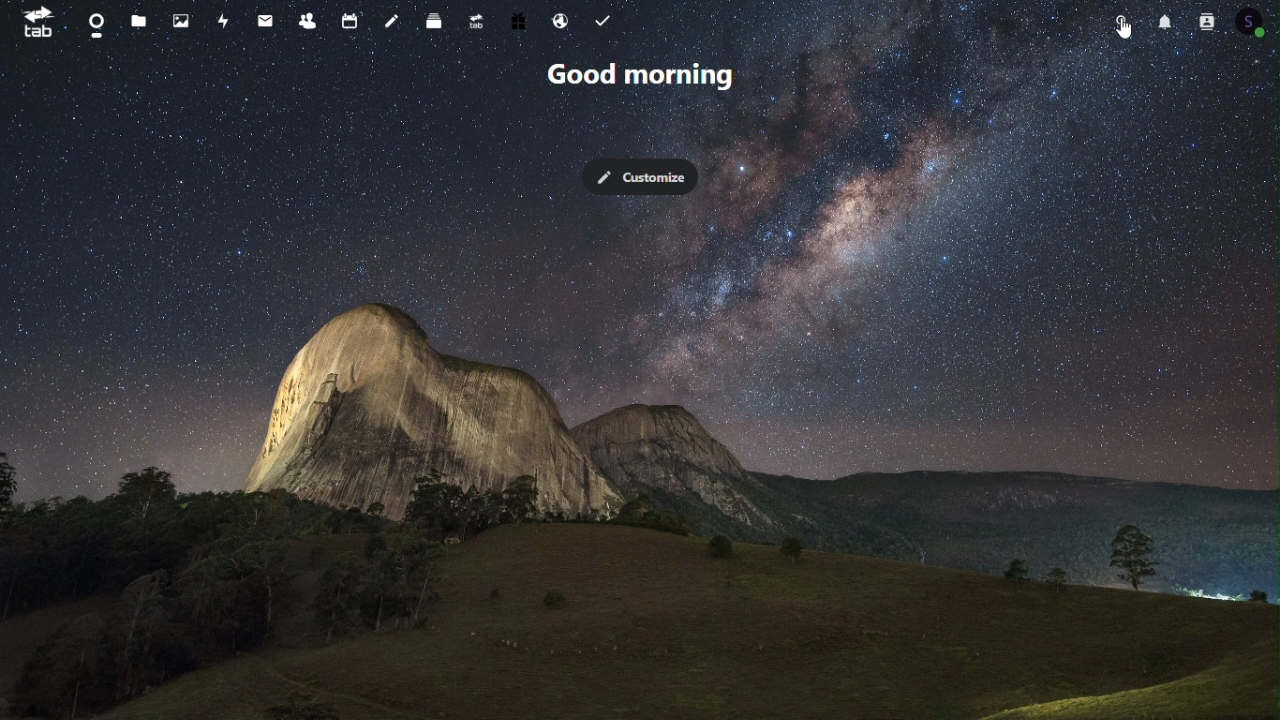 This screenshot has height=720, width=1280. I want to click on Calendar, so click(349, 18).